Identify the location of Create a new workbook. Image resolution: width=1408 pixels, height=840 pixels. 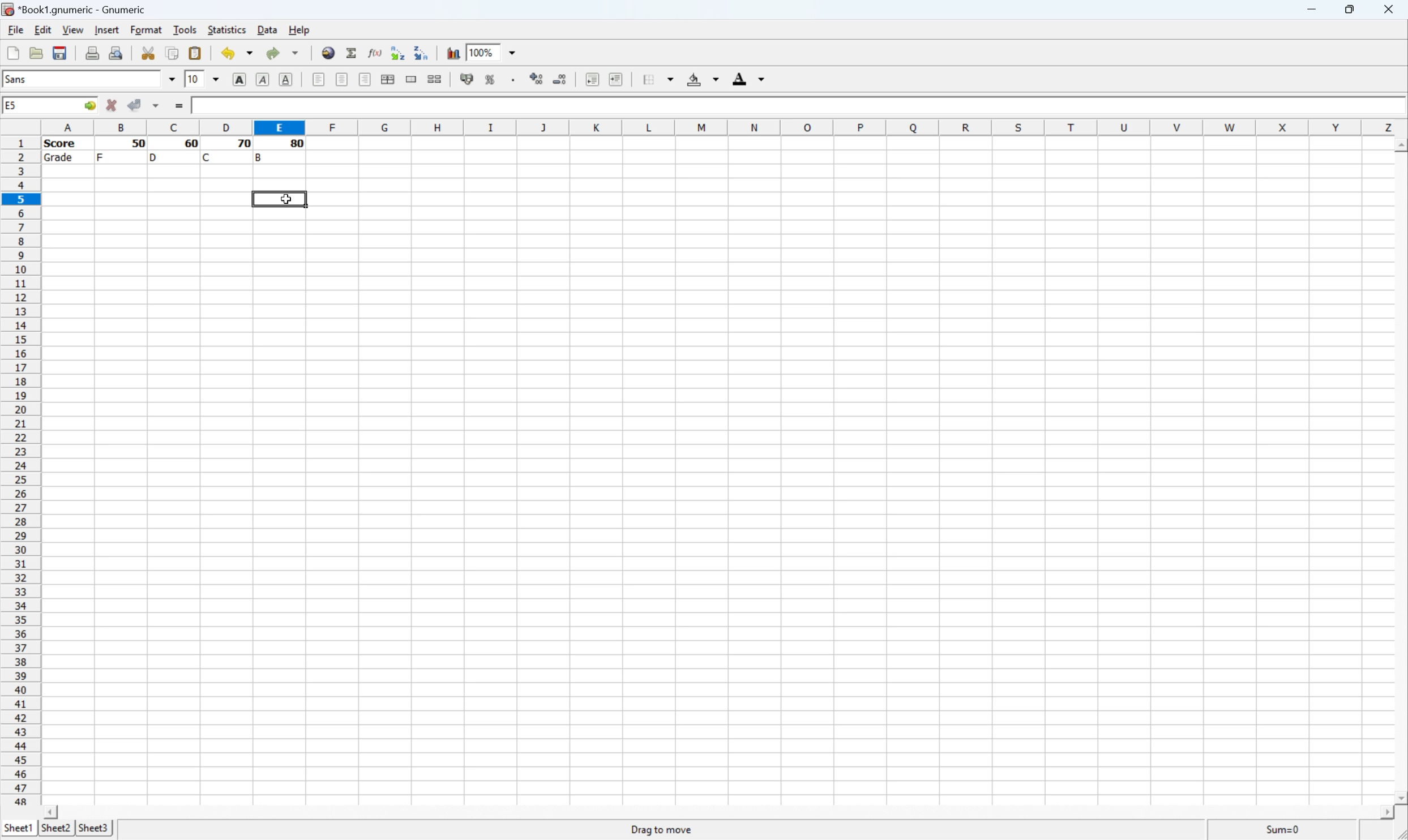
(12, 51).